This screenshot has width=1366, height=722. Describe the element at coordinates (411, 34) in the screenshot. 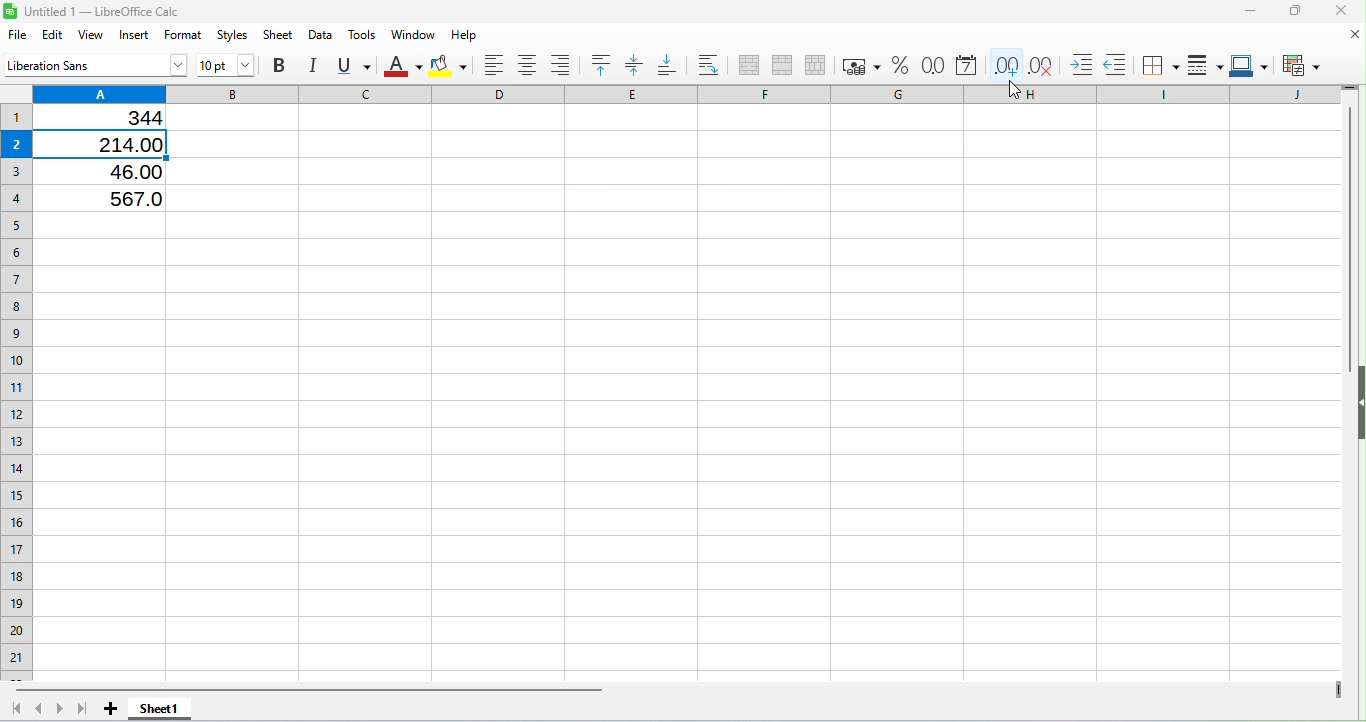

I see `Window` at that location.